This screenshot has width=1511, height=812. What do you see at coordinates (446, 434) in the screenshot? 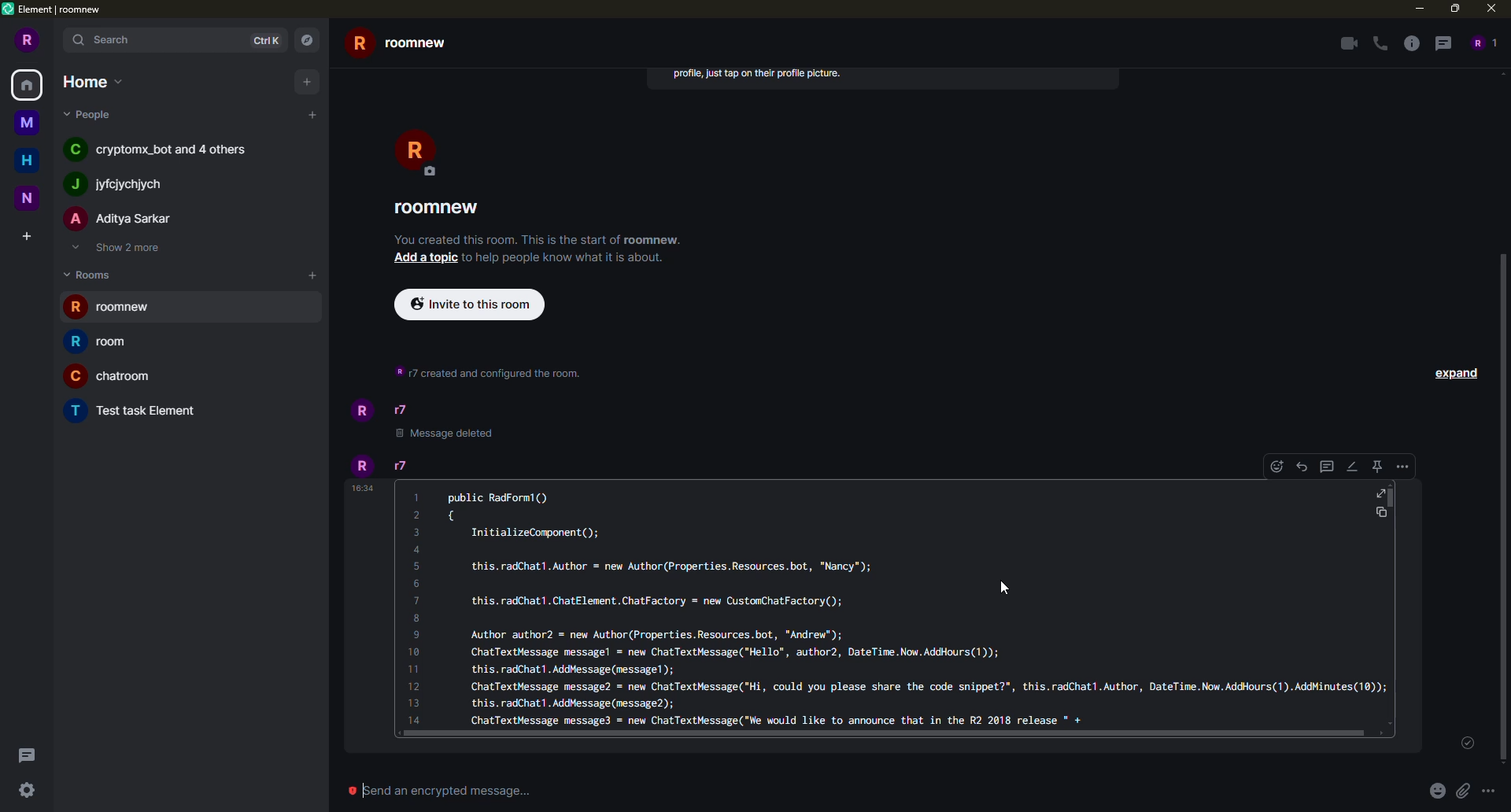
I see `message deleted` at bounding box center [446, 434].